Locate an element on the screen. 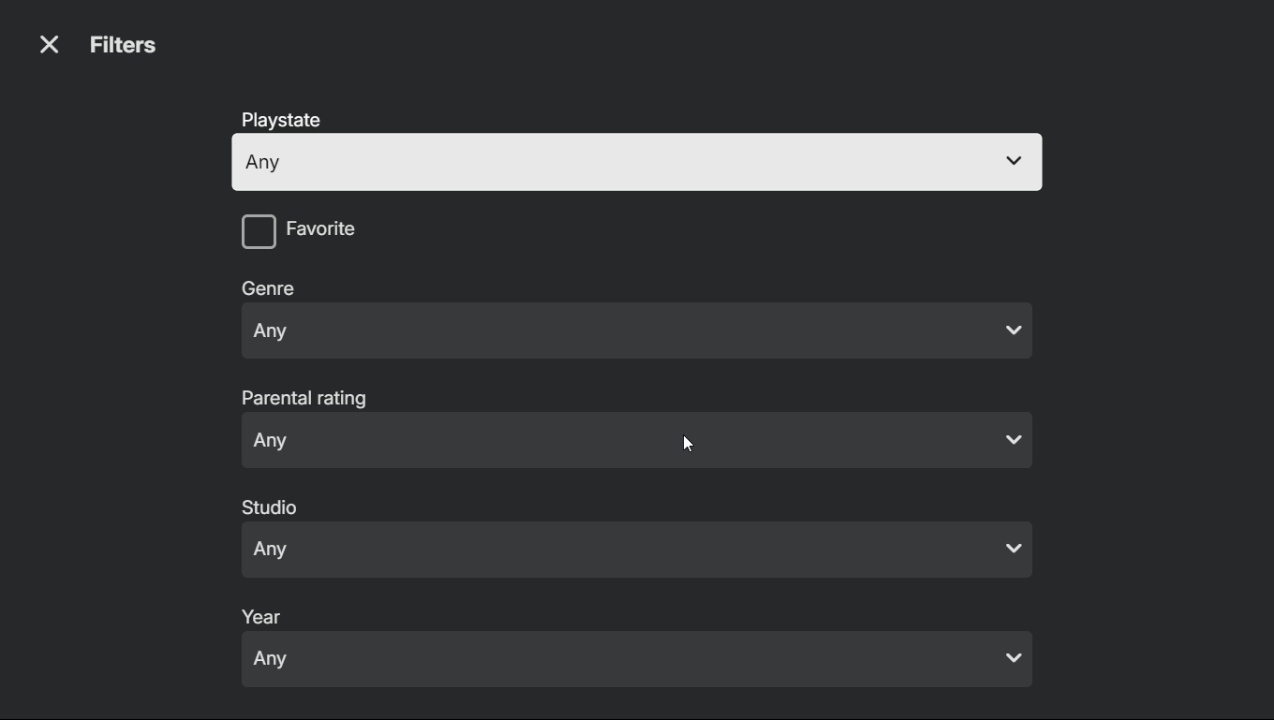  mouse pointer is located at coordinates (689, 443).